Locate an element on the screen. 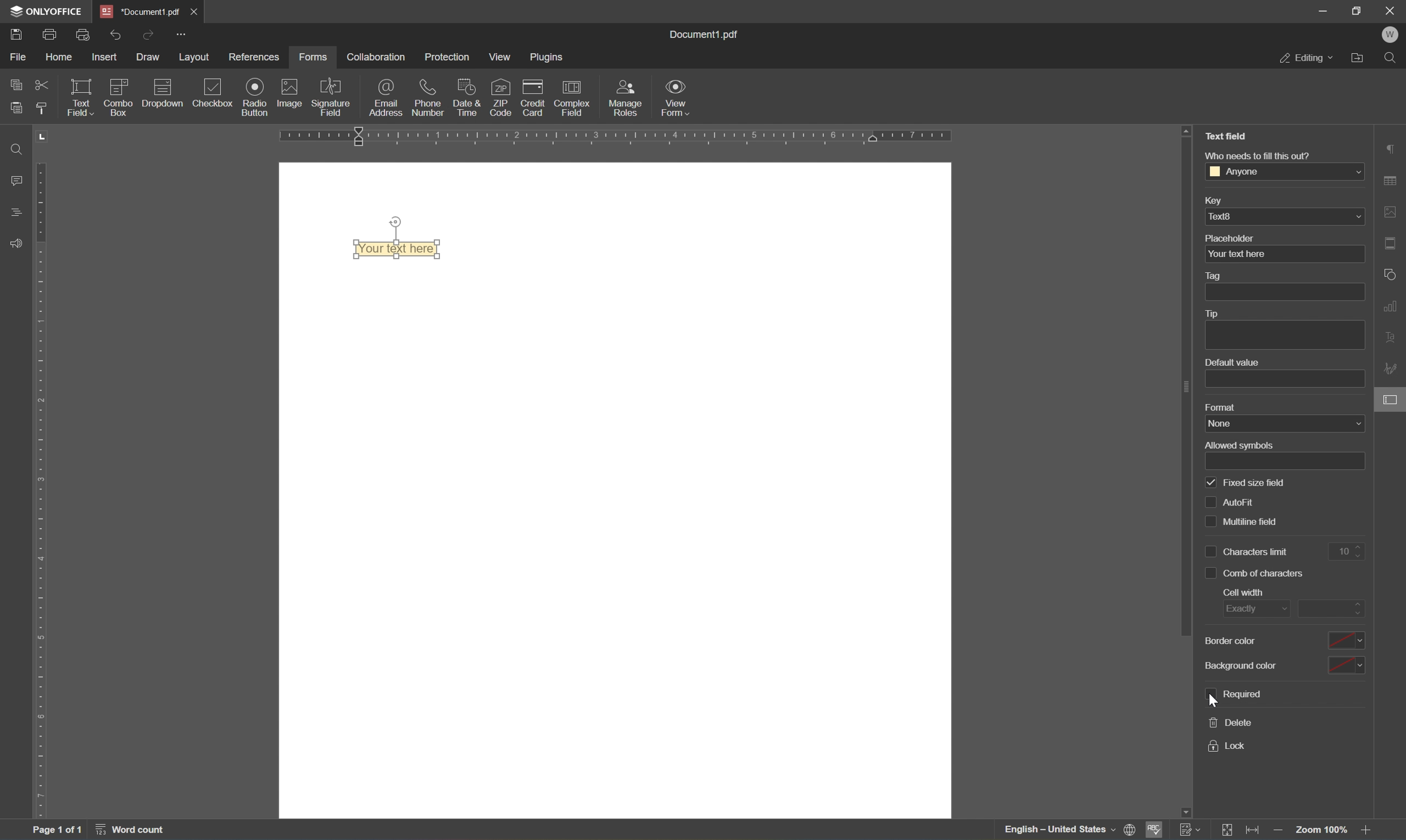 The image size is (1406, 840). forms is located at coordinates (314, 58).